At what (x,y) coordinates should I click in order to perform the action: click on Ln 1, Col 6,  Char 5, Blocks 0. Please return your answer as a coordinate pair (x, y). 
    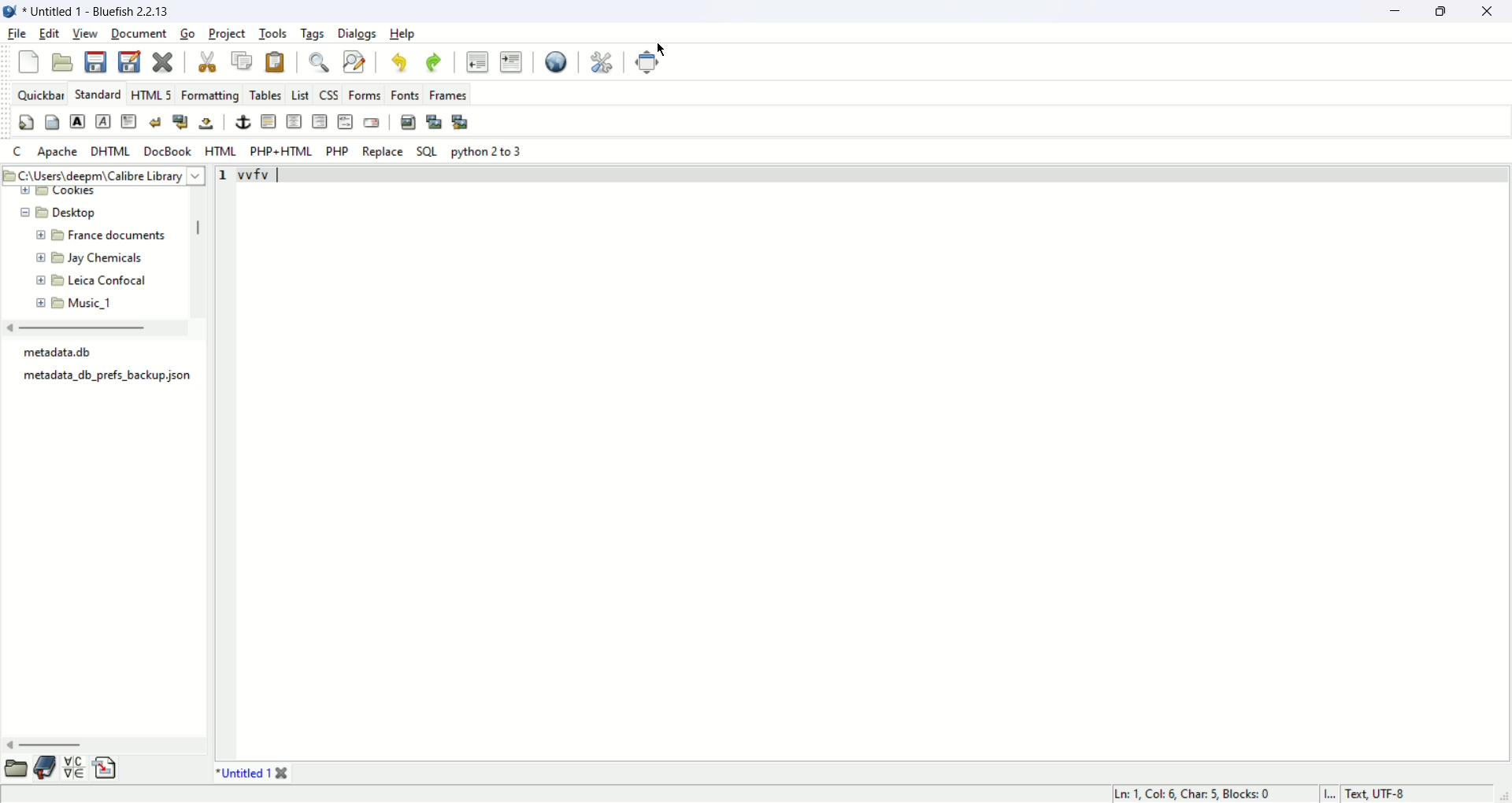
    Looking at the image, I should click on (1199, 791).